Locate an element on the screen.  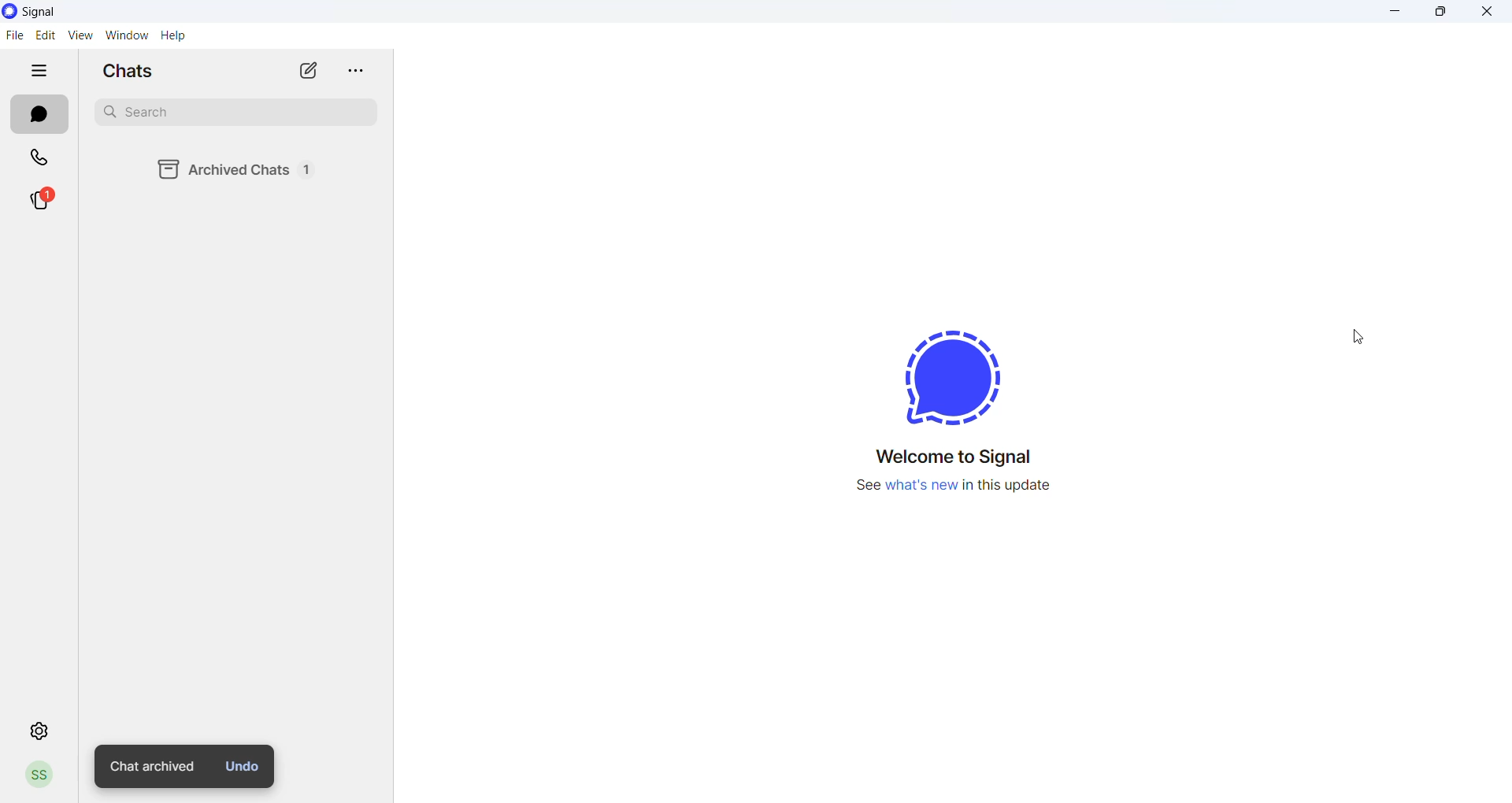
archived chats is located at coordinates (250, 169).